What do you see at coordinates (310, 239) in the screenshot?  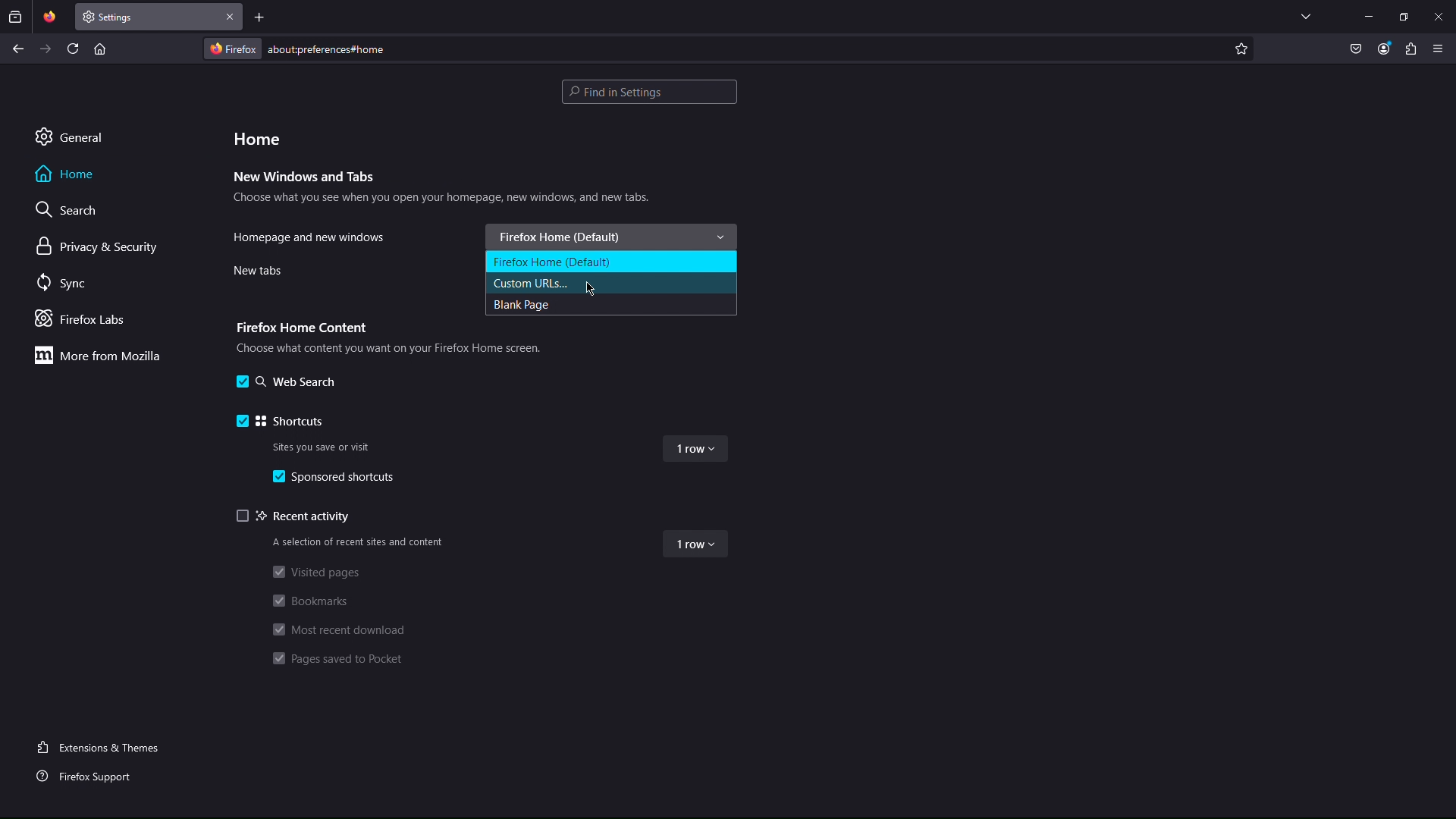 I see `Homepage and new windows` at bounding box center [310, 239].